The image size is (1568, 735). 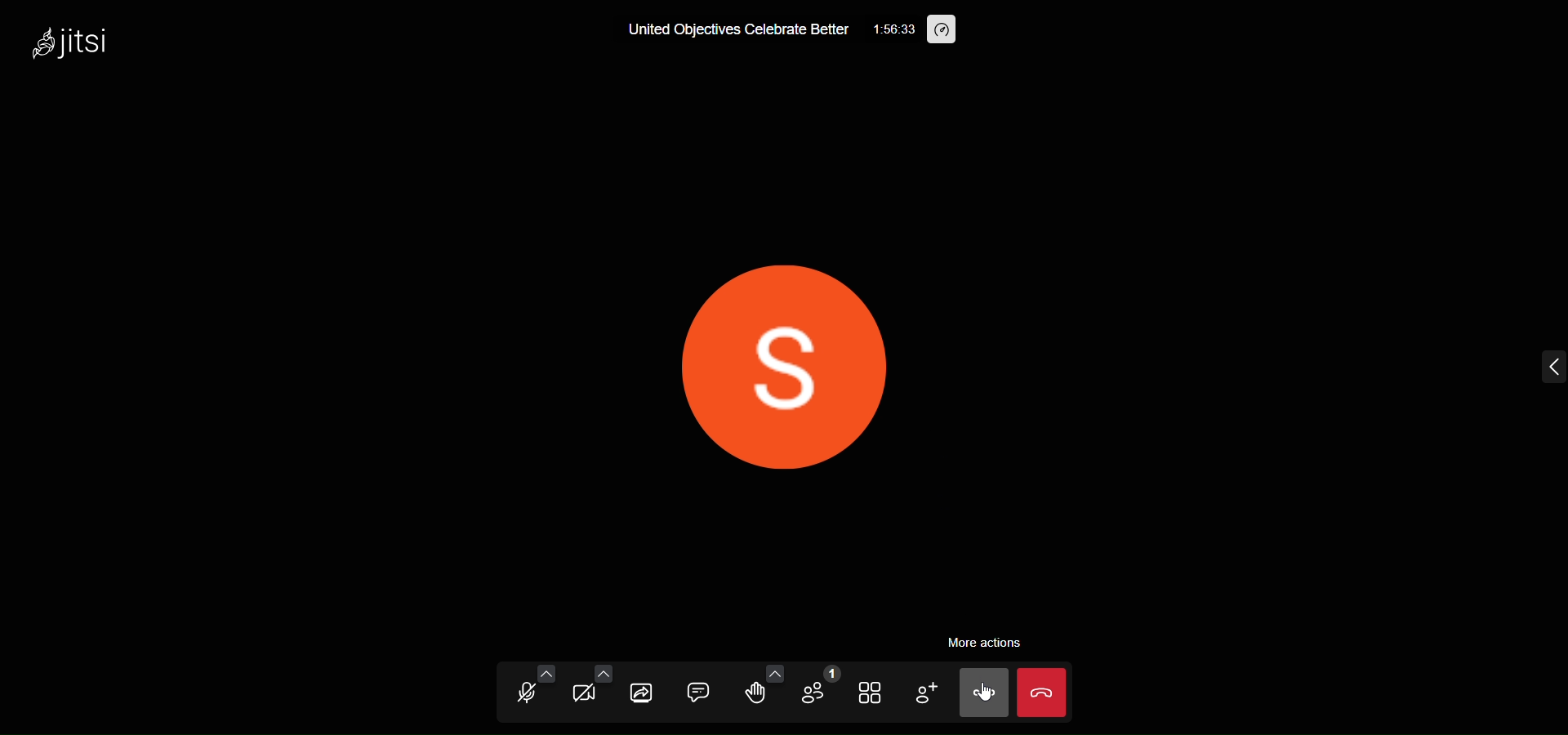 What do you see at coordinates (1044, 694) in the screenshot?
I see `leave the call` at bounding box center [1044, 694].